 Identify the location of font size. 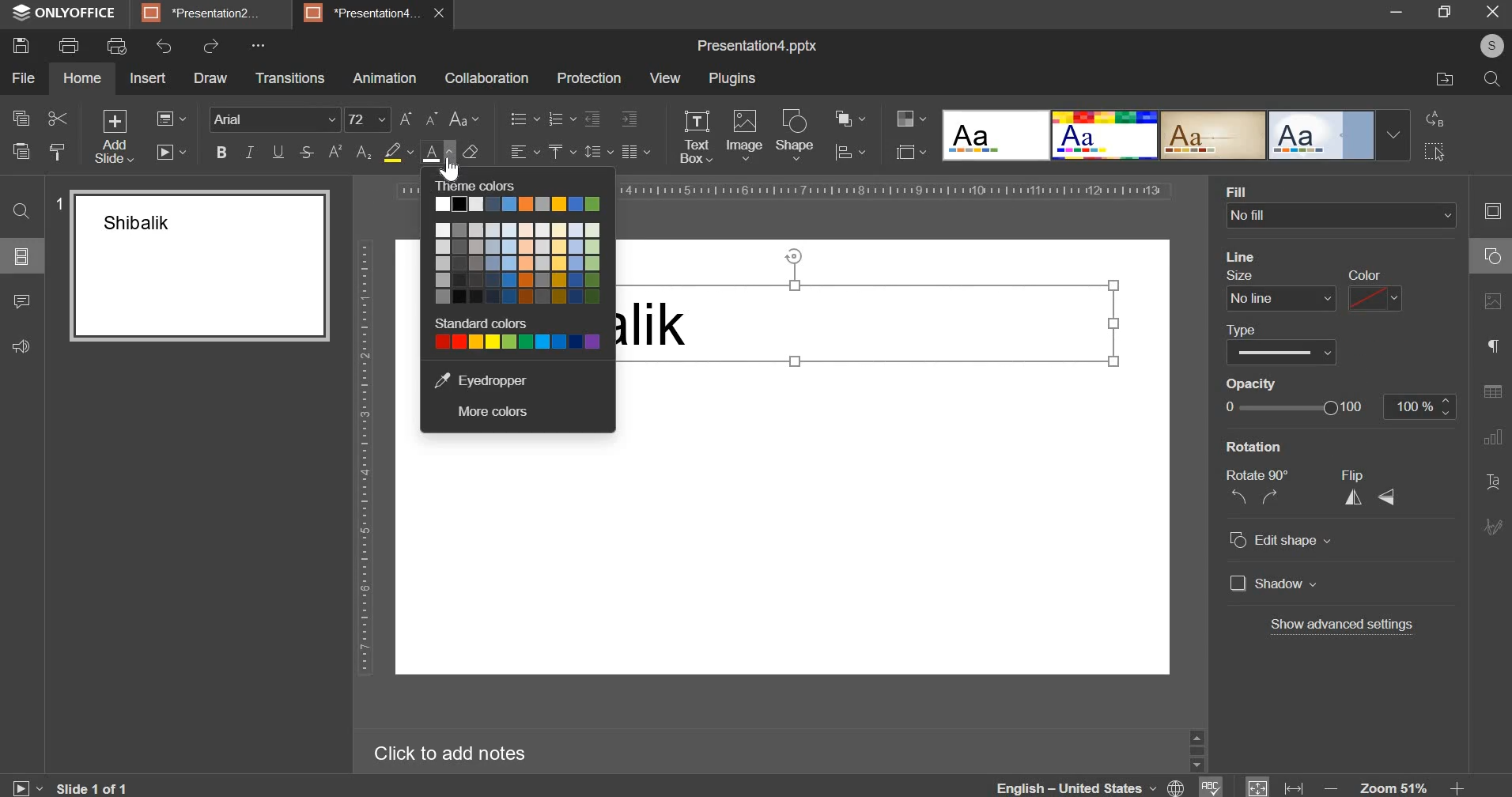
(367, 119).